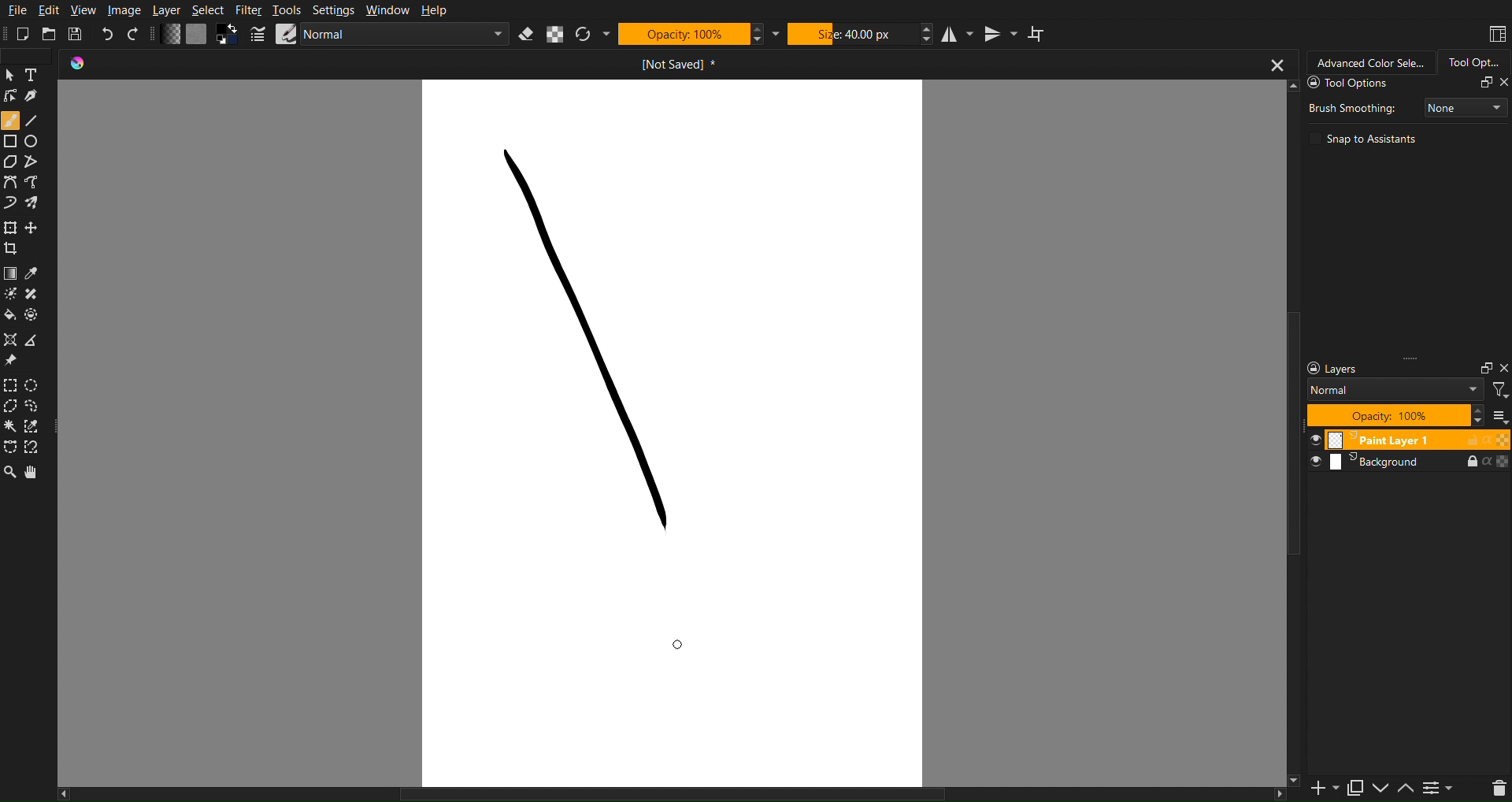 The height and width of the screenshot is (802, 1512). I want to click on Circle, so click(35, 142).